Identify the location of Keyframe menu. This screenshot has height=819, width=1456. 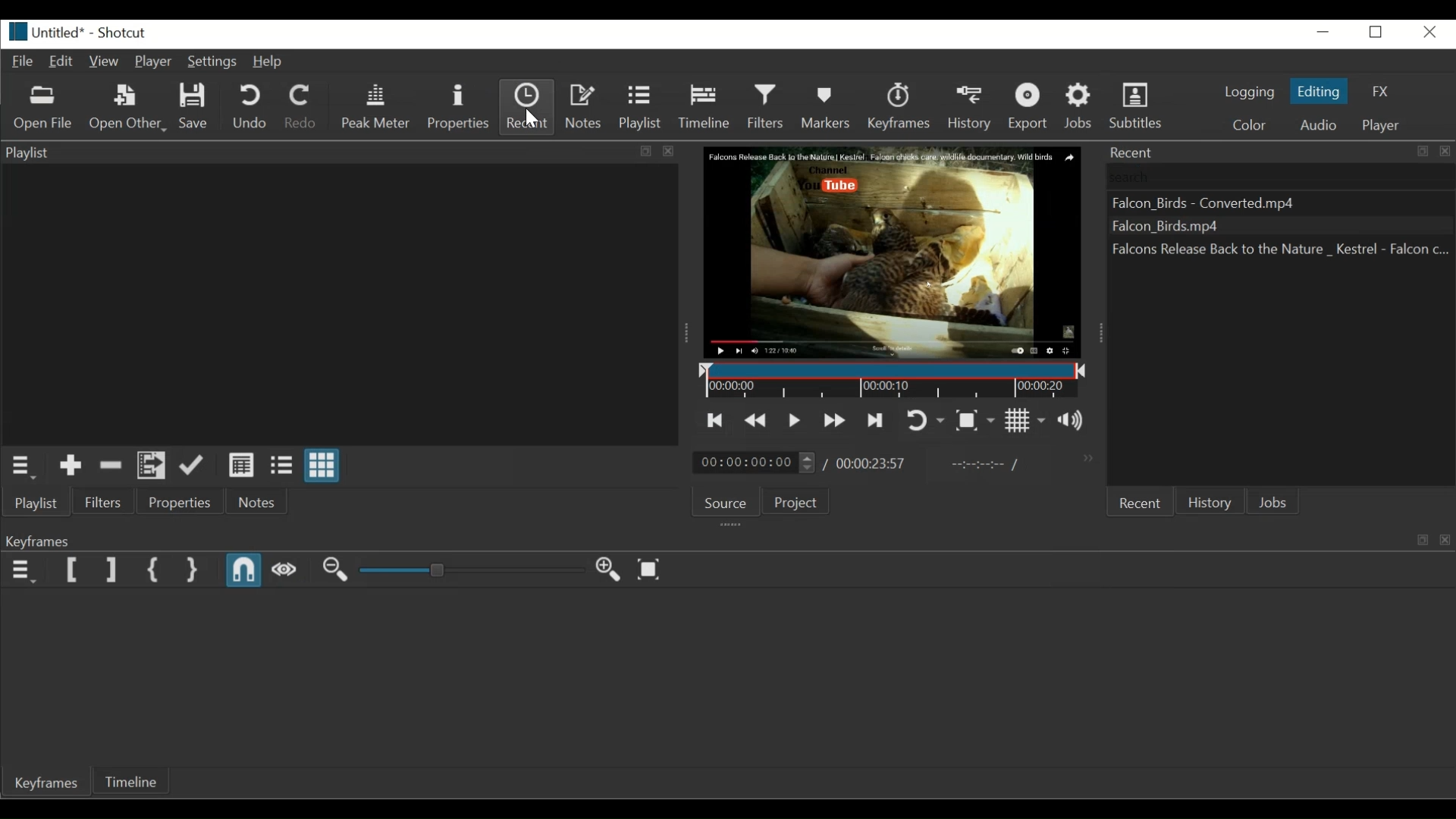
(25, 570).